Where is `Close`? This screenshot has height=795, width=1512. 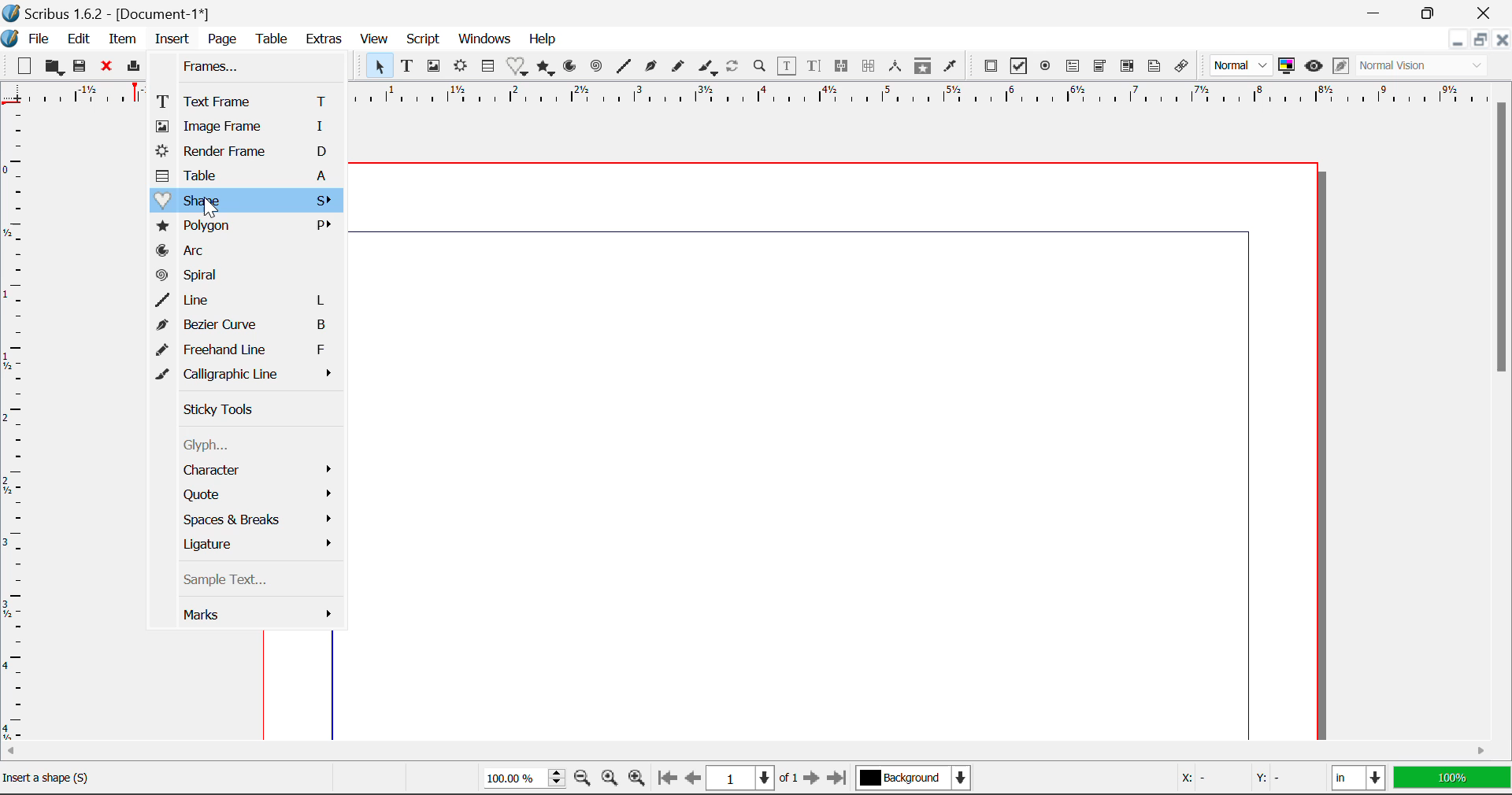 Close is located at coordinates (1488, 13).